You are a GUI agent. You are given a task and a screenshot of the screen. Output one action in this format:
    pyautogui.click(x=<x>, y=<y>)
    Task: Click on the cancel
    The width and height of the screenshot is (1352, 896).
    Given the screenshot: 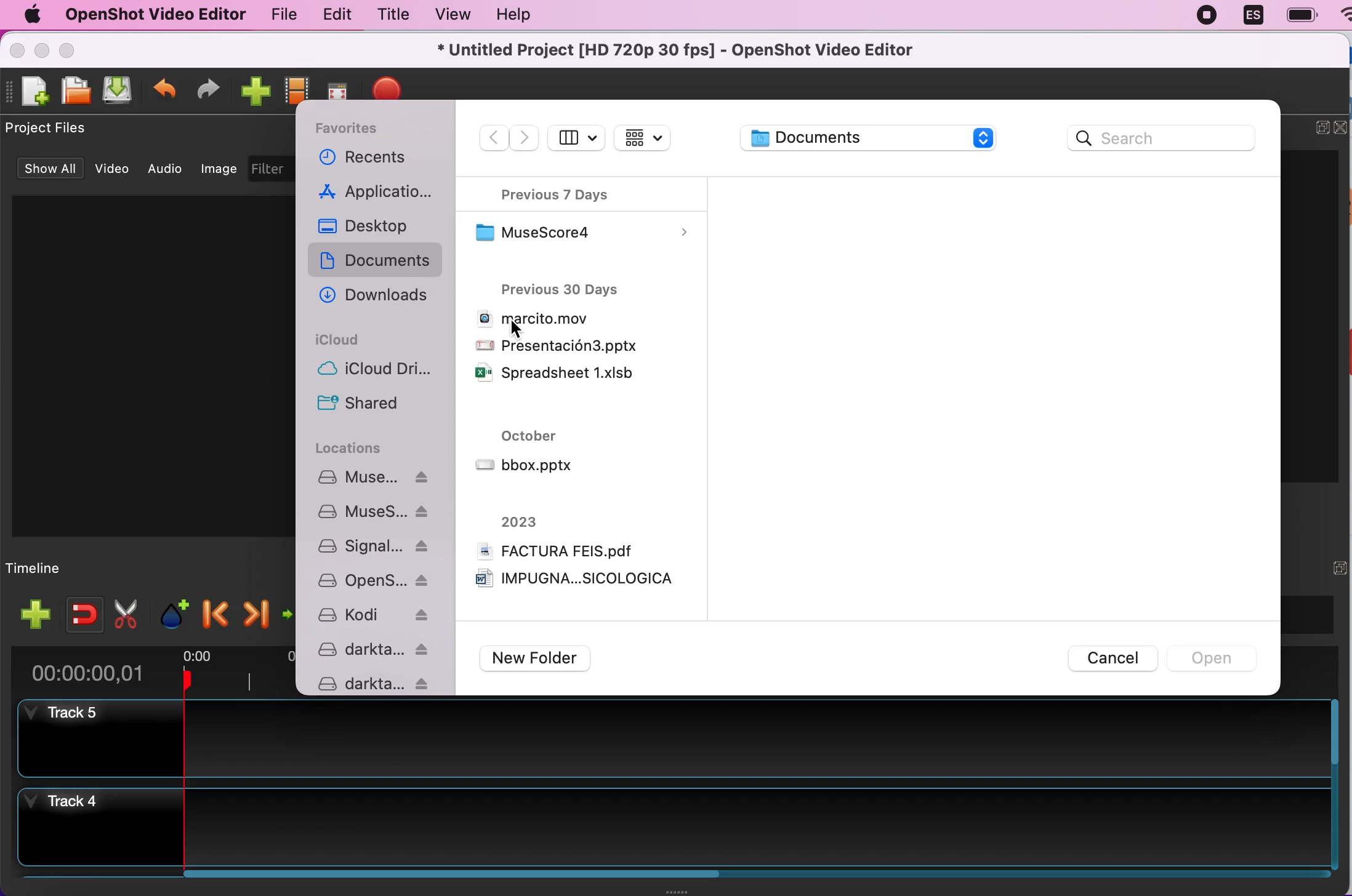 What is the action you would take?
    pyautogui.click(x=1101, y=657)
    